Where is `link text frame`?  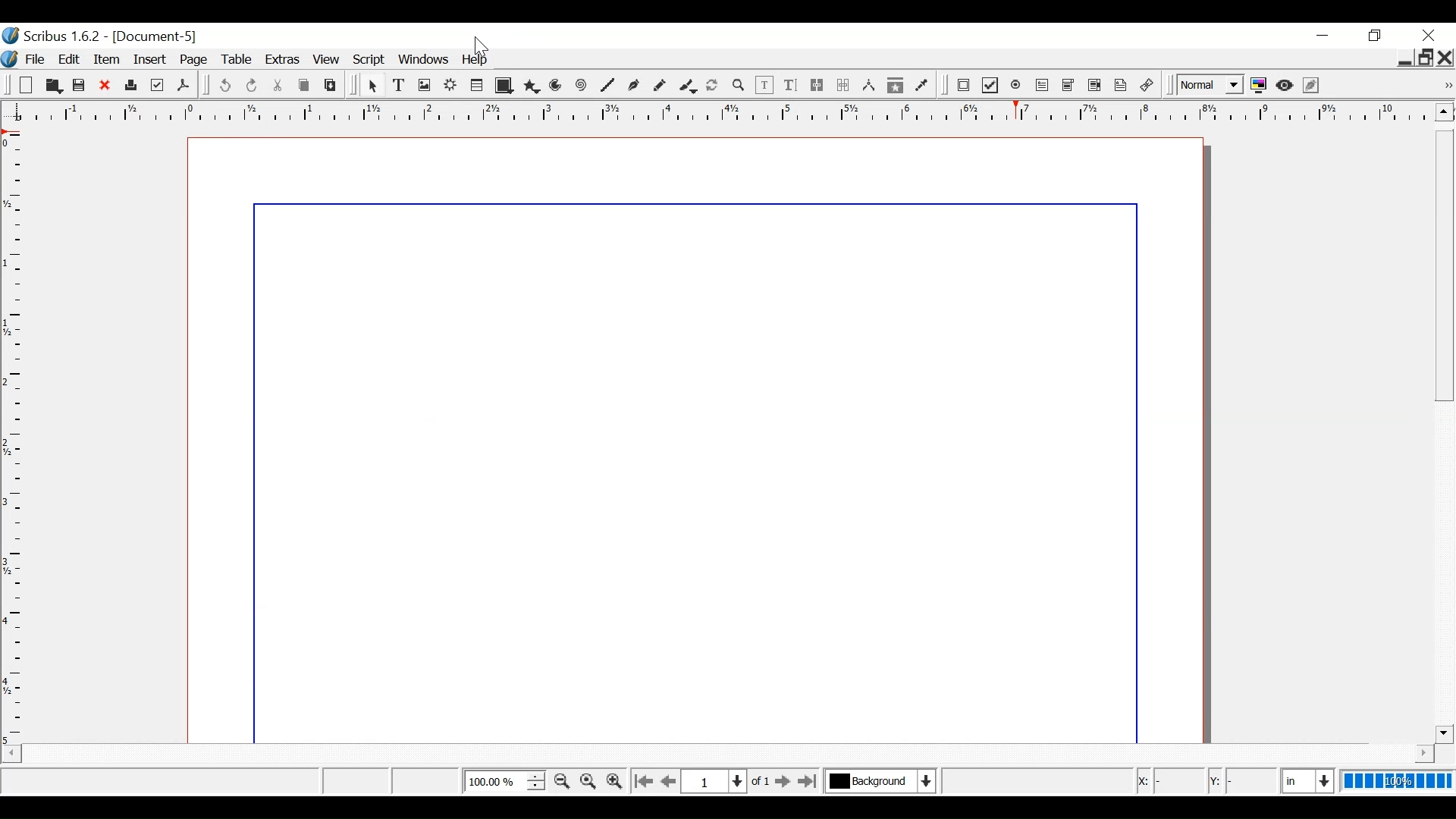
link text frame is located at coordinates (817, 86).